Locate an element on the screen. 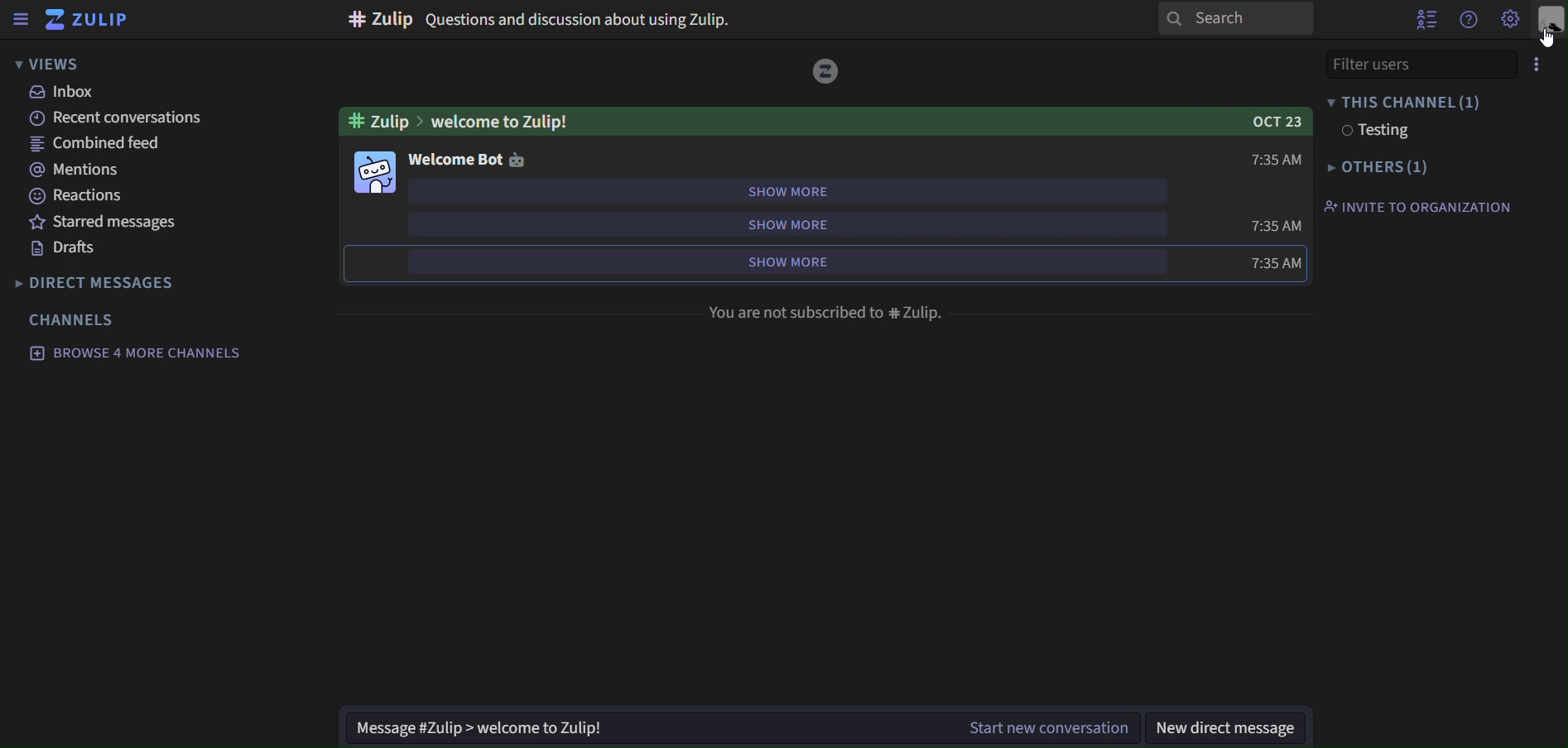  reactions is located at coordinates (79, 196).